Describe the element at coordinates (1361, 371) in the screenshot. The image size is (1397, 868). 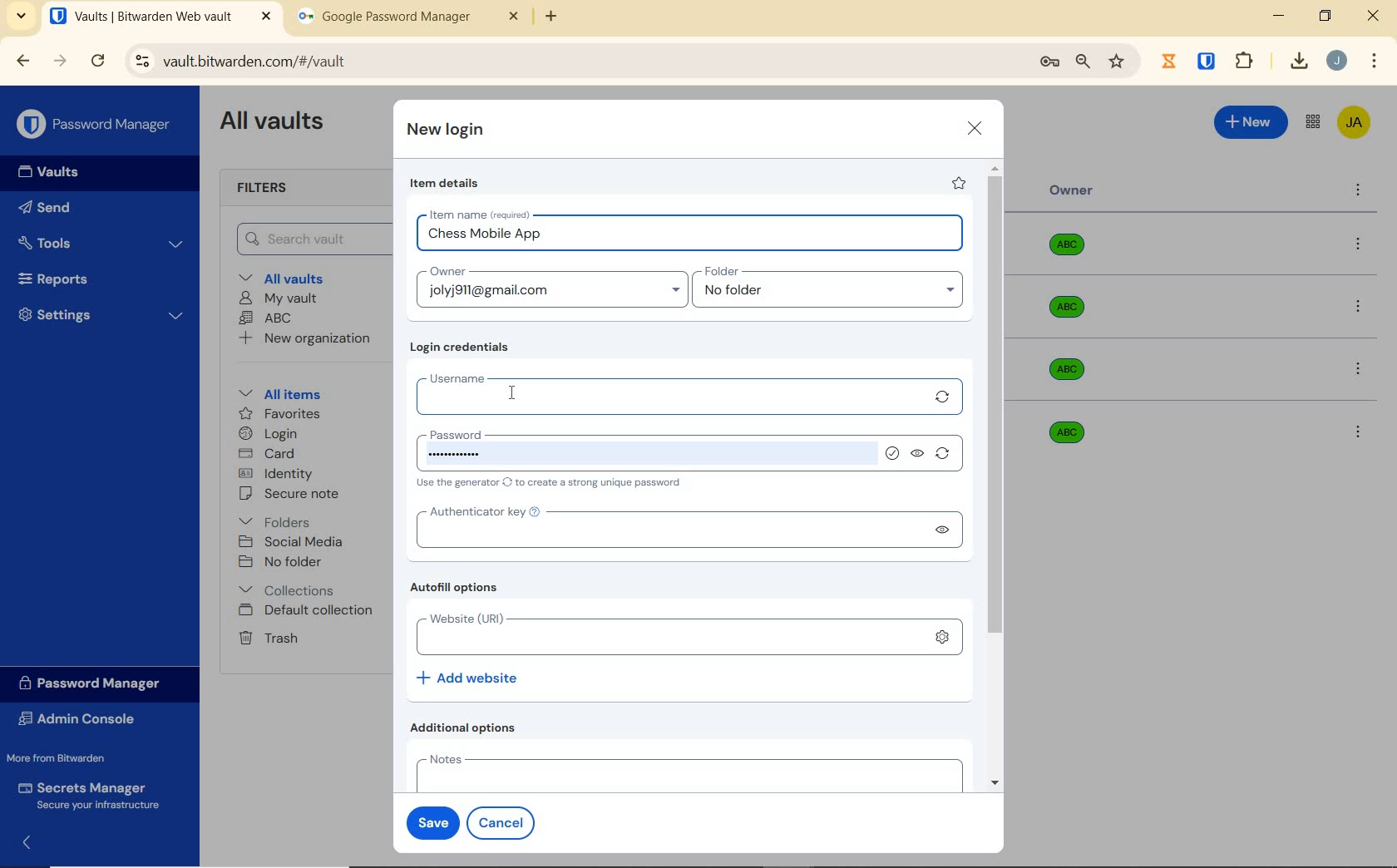
I see `option` at that location.